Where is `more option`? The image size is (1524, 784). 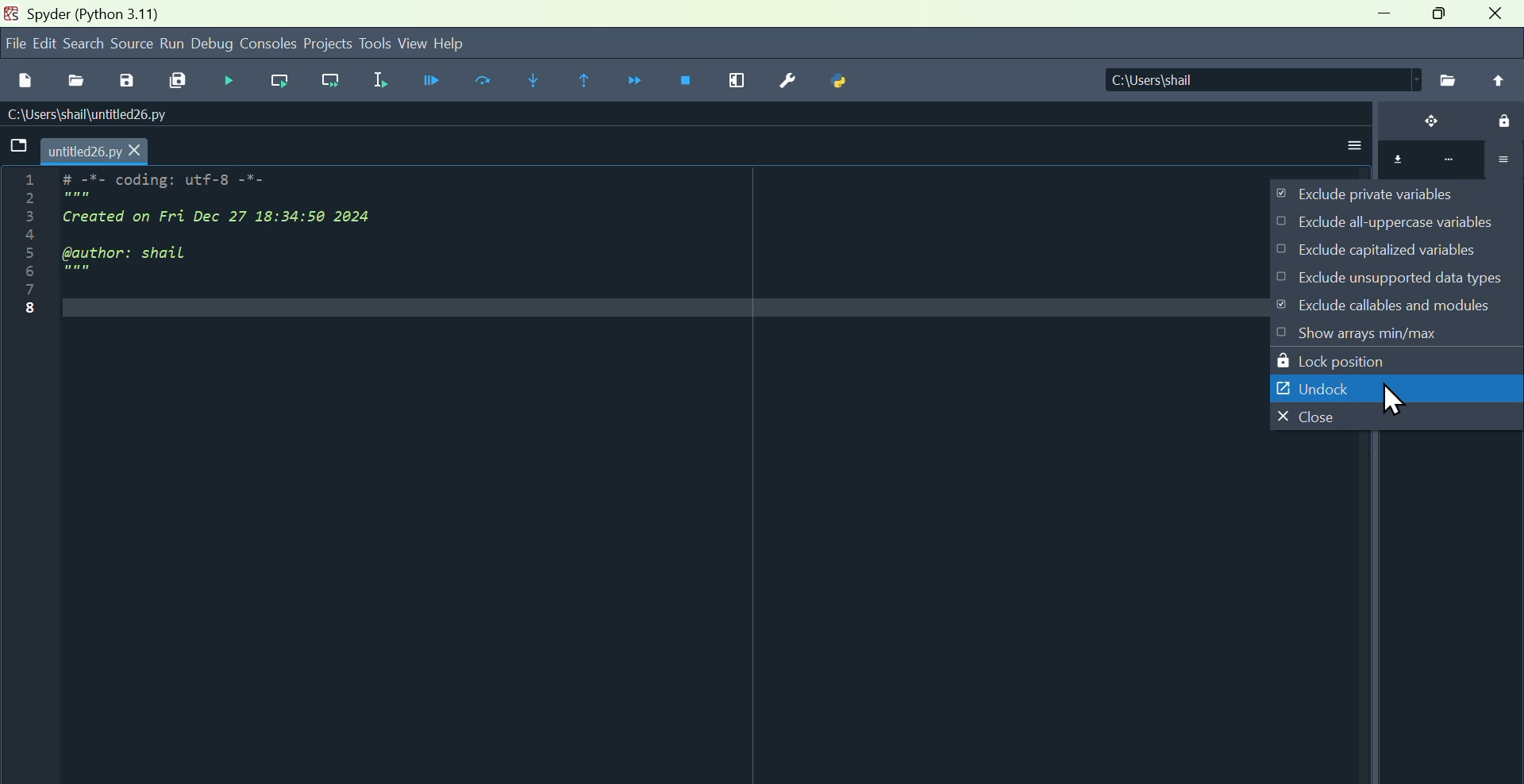 more option is located at coordinates (1436, 163).